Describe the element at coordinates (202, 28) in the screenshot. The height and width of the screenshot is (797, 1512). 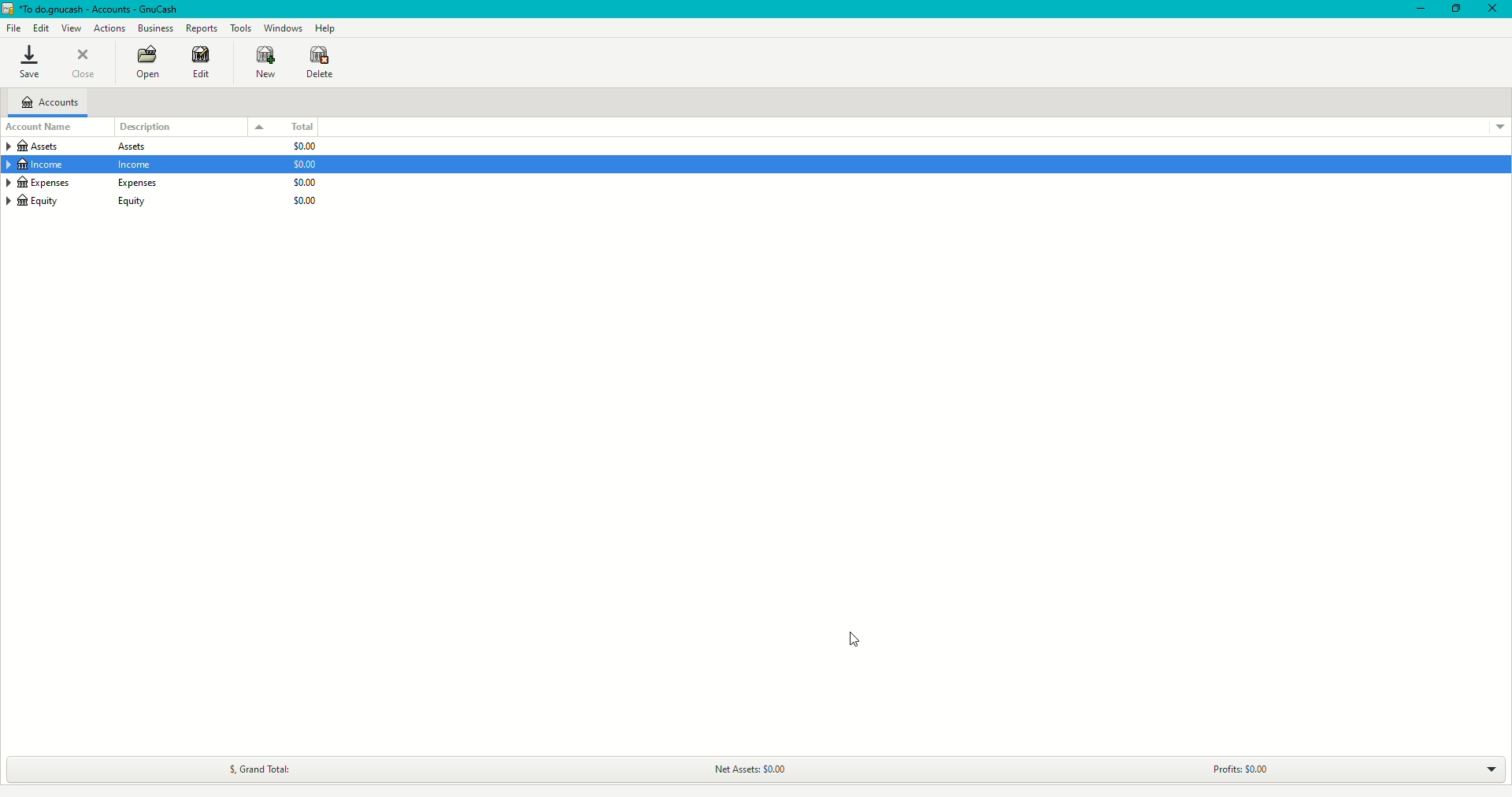
I see `Reports` at that location.